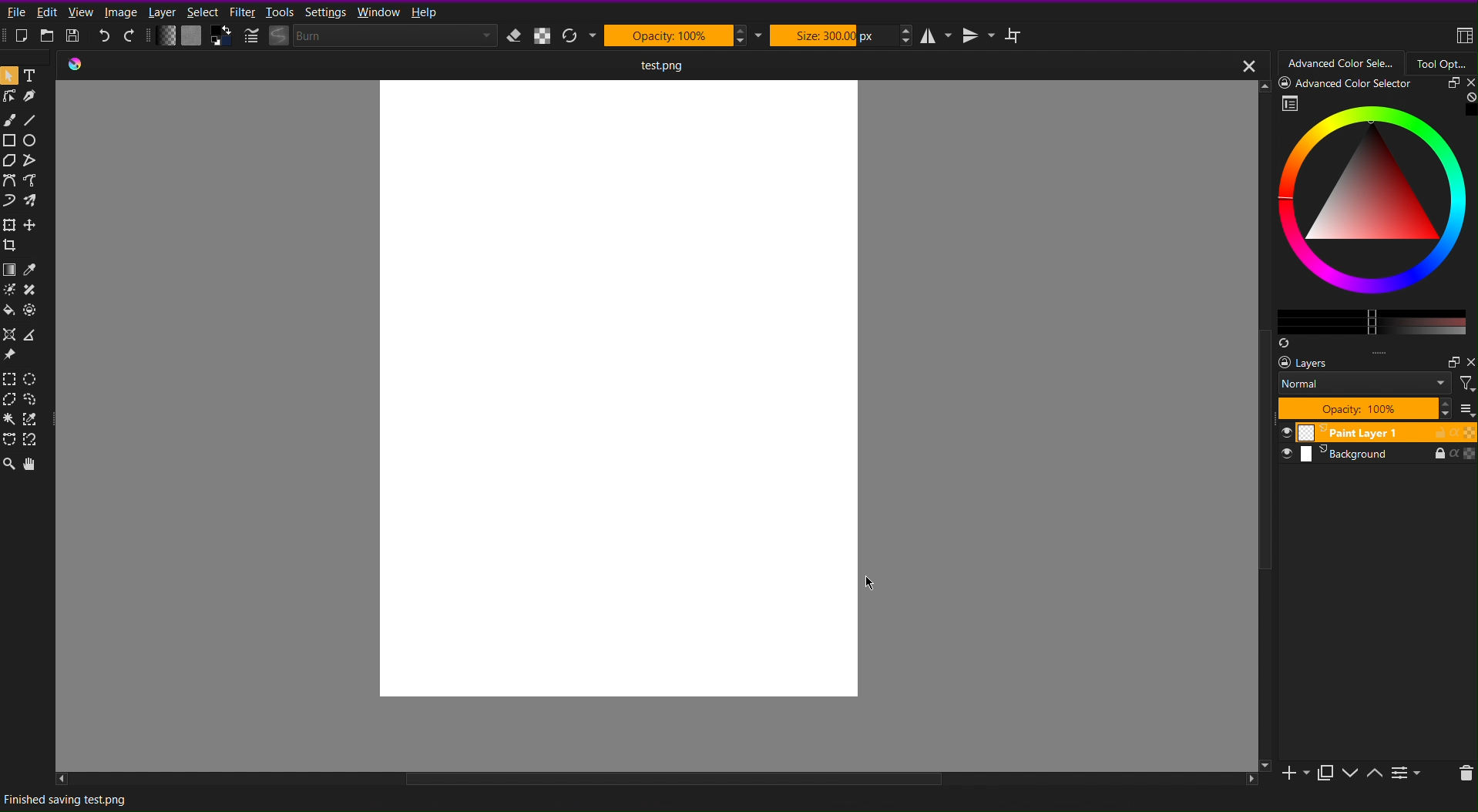 The width and height of the screenshot is (1478, 812). Describe the element at coordinates (130, 37) in the screenshot. I see `Redo` at that location.